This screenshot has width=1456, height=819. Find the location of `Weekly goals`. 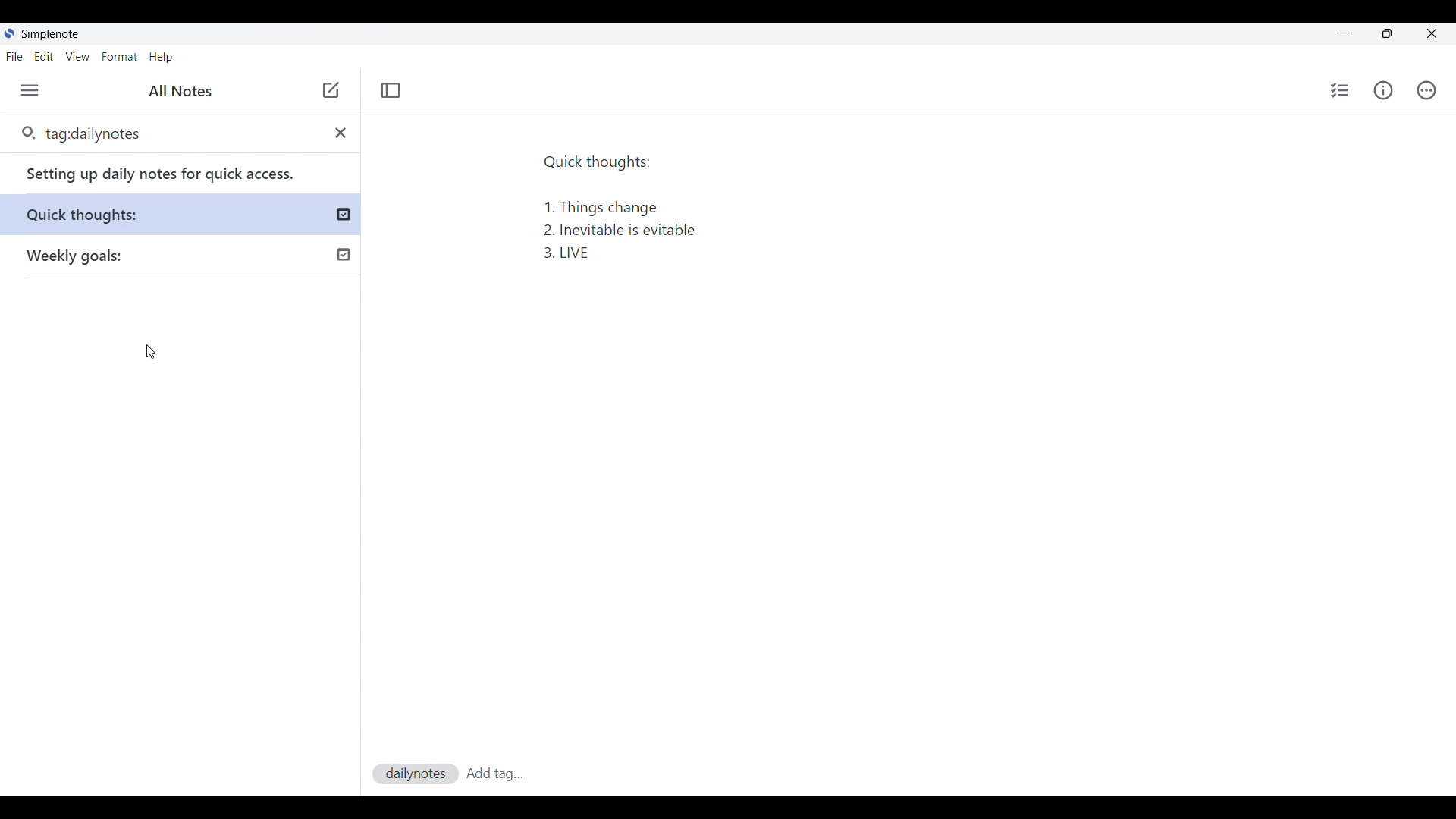

Weekly goals is located at coordinates (82, 257).